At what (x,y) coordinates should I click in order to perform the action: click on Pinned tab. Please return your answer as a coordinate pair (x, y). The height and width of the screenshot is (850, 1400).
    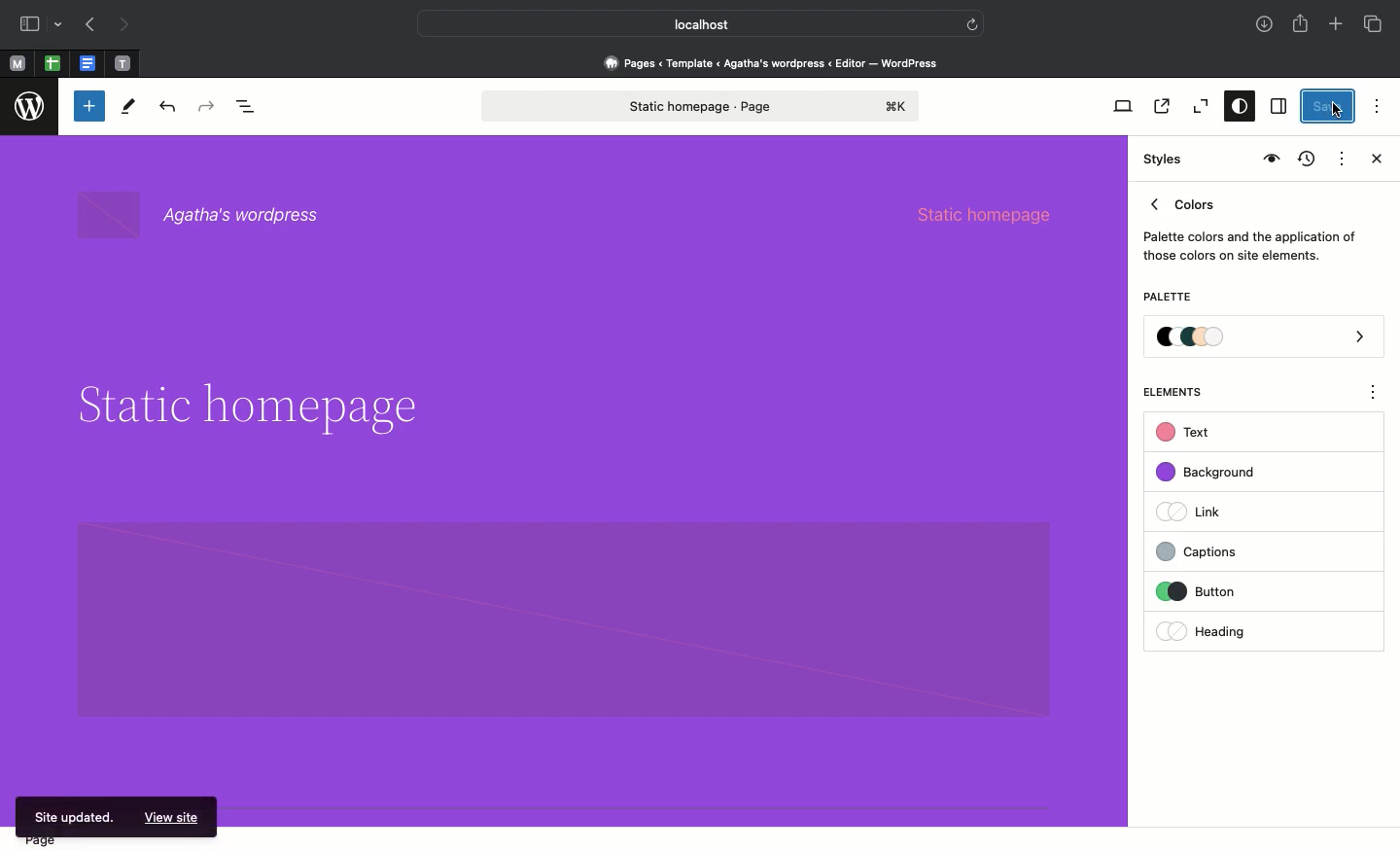
    Looking at the image, I should click on (17, 64).